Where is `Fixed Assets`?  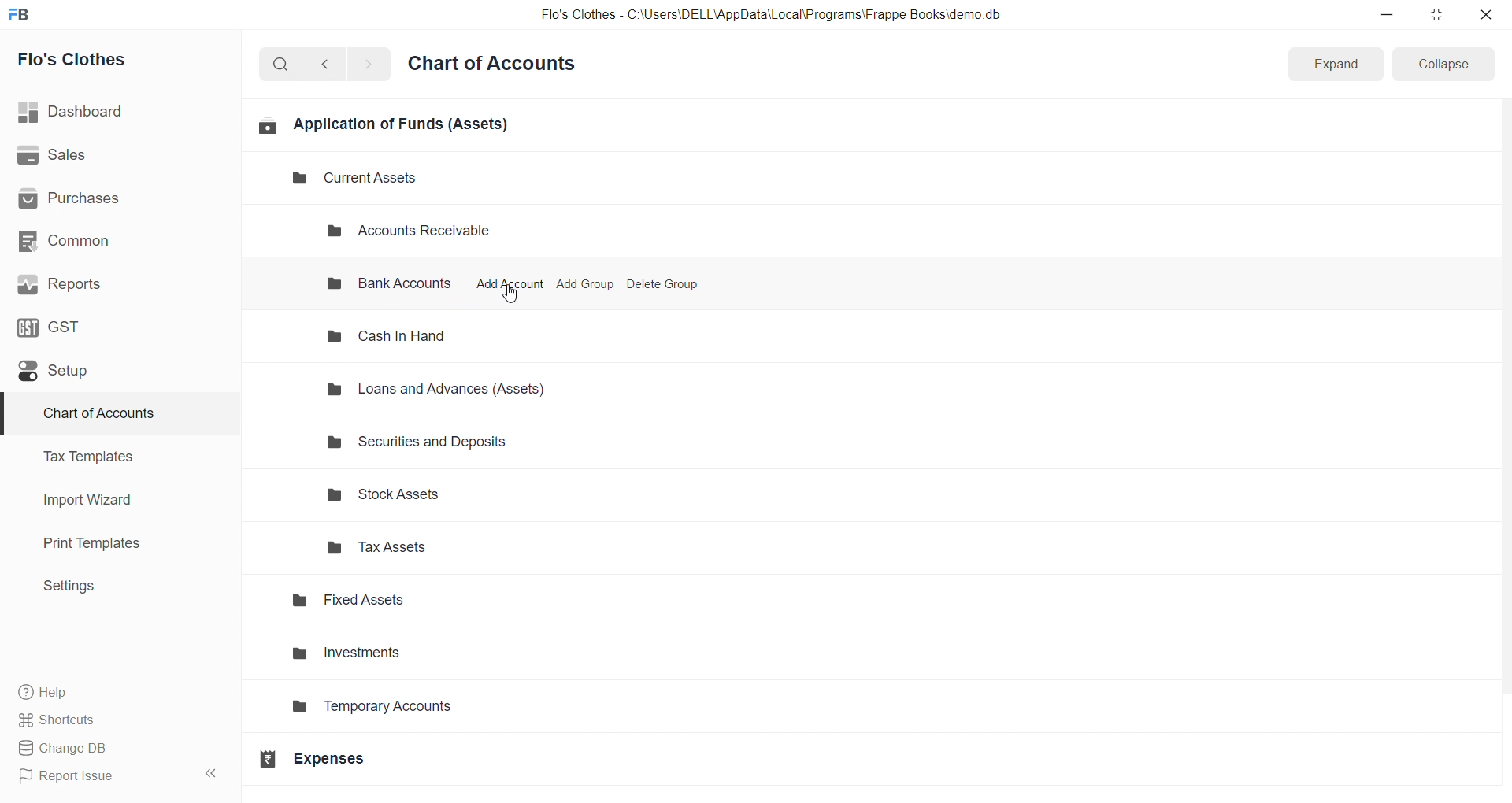 Fixed Assets is located at coordinates (428, 603).